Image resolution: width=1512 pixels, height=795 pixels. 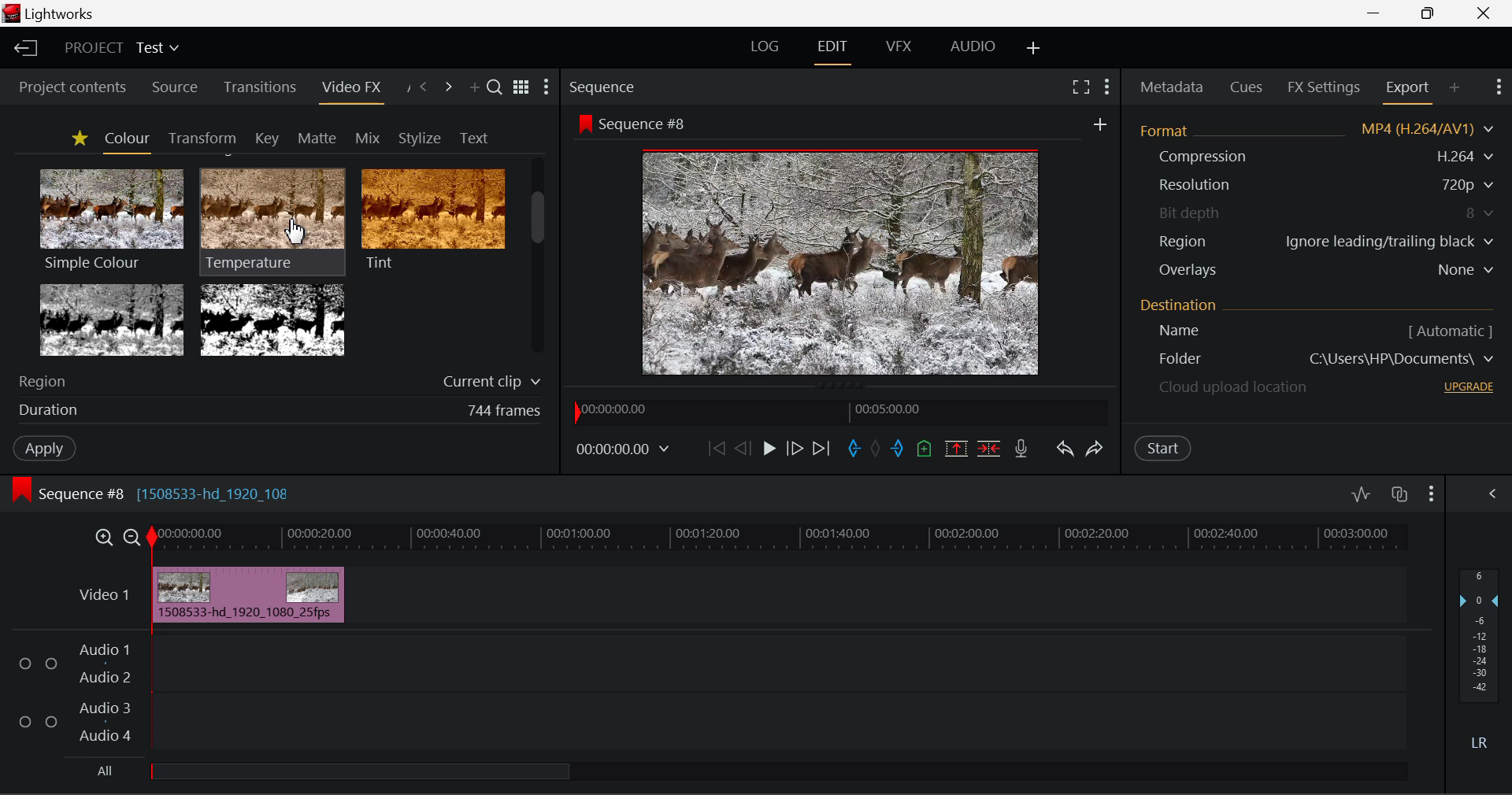 What do you see at coordinates (98, 675) in the screenshot?
I see `Audio 2` at bounding box center [98, 675].